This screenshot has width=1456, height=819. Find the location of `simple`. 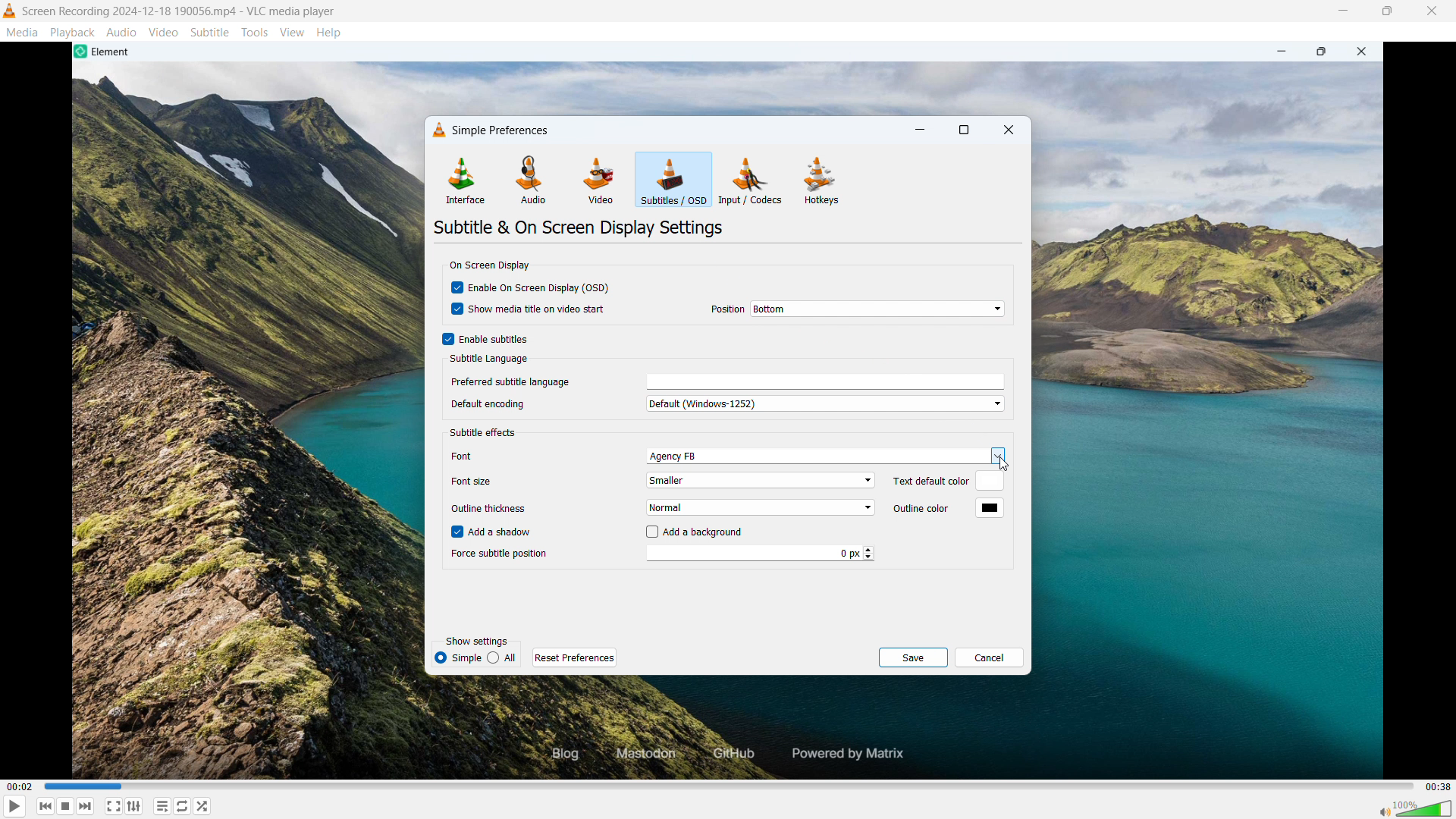

simple is located at coordinates (502, 658).